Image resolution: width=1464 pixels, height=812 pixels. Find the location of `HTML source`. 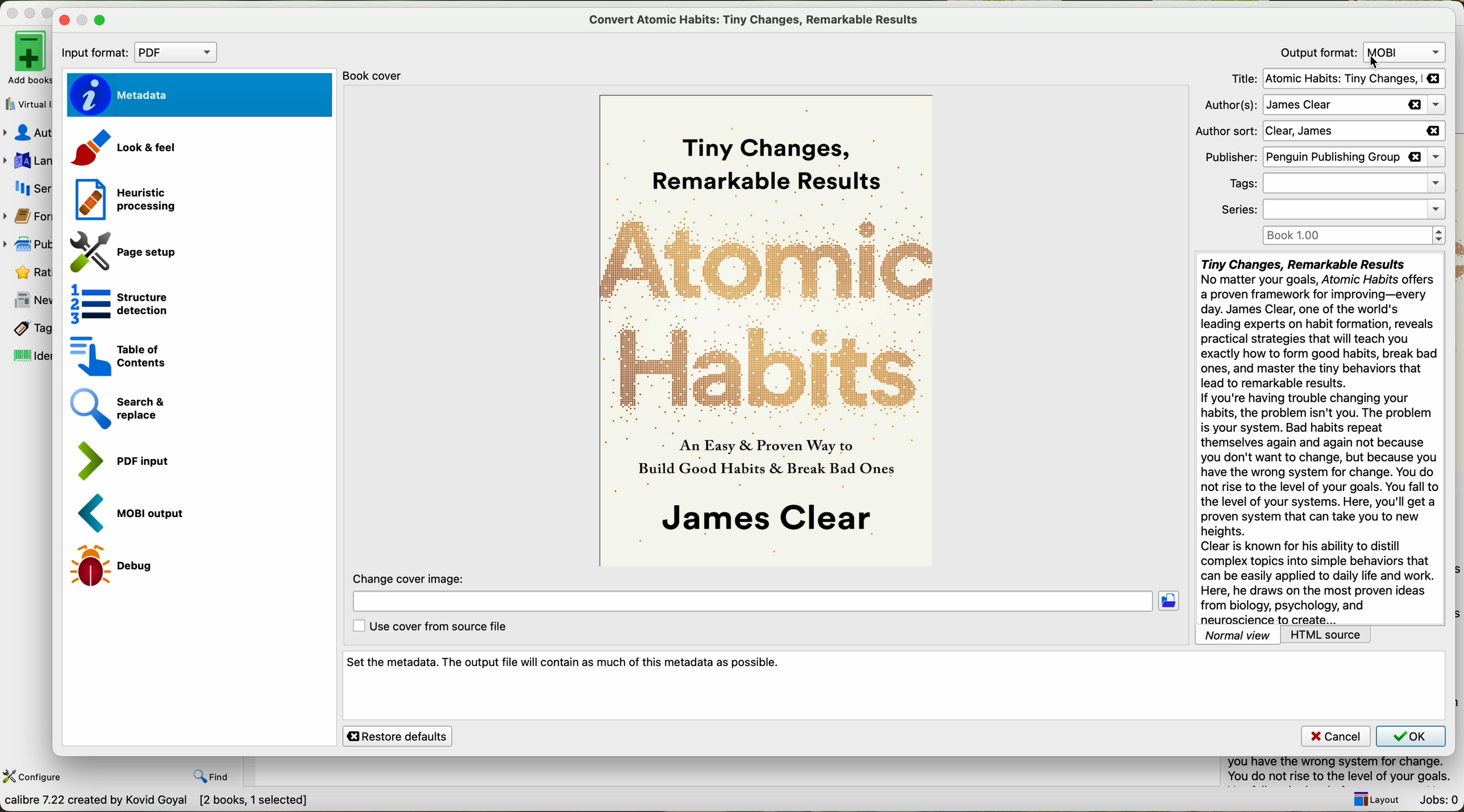

HTML source is located at coordinates (1326, 635).